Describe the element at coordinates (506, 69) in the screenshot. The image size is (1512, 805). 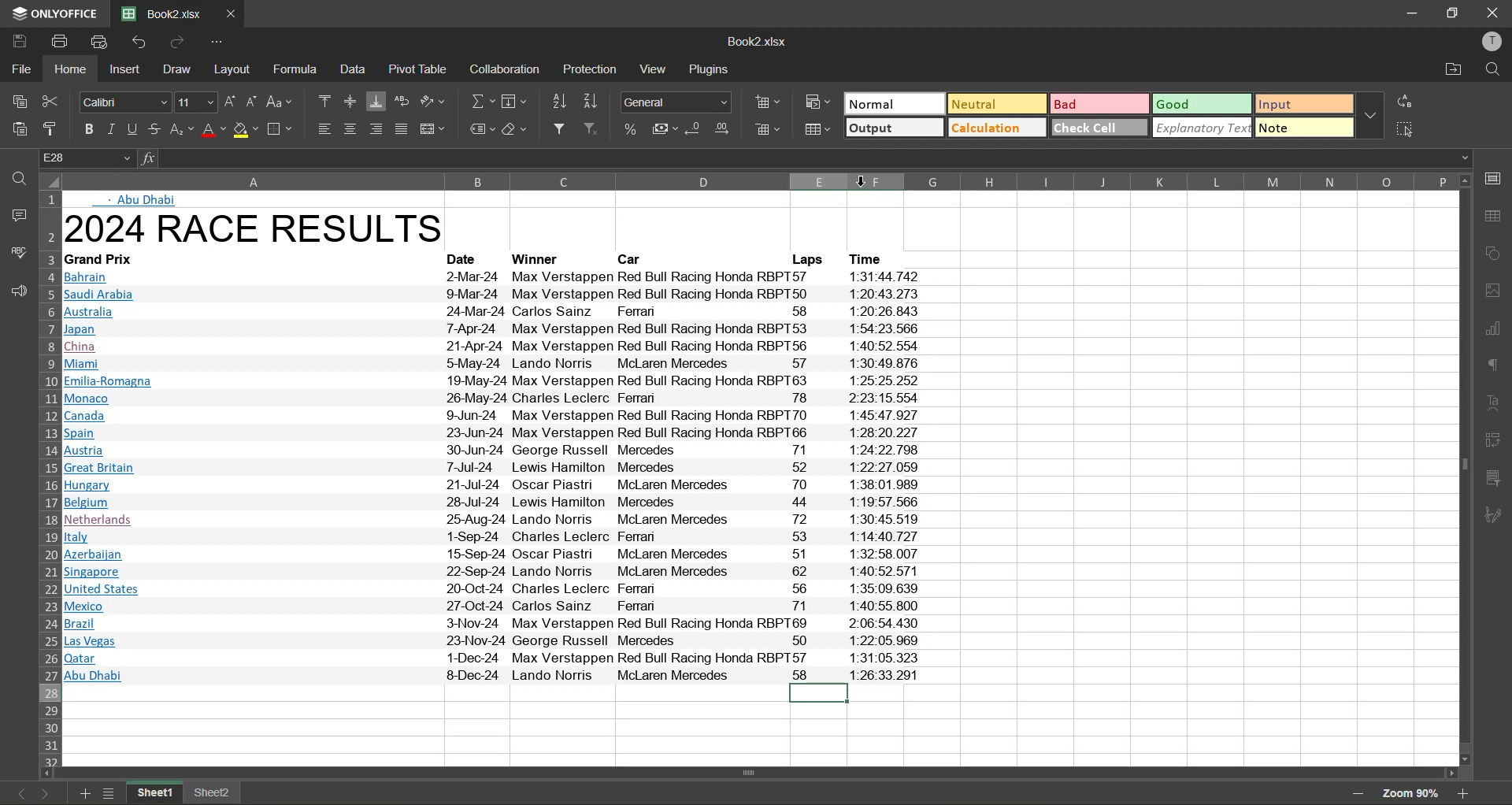
I see `collaboration` at that location.